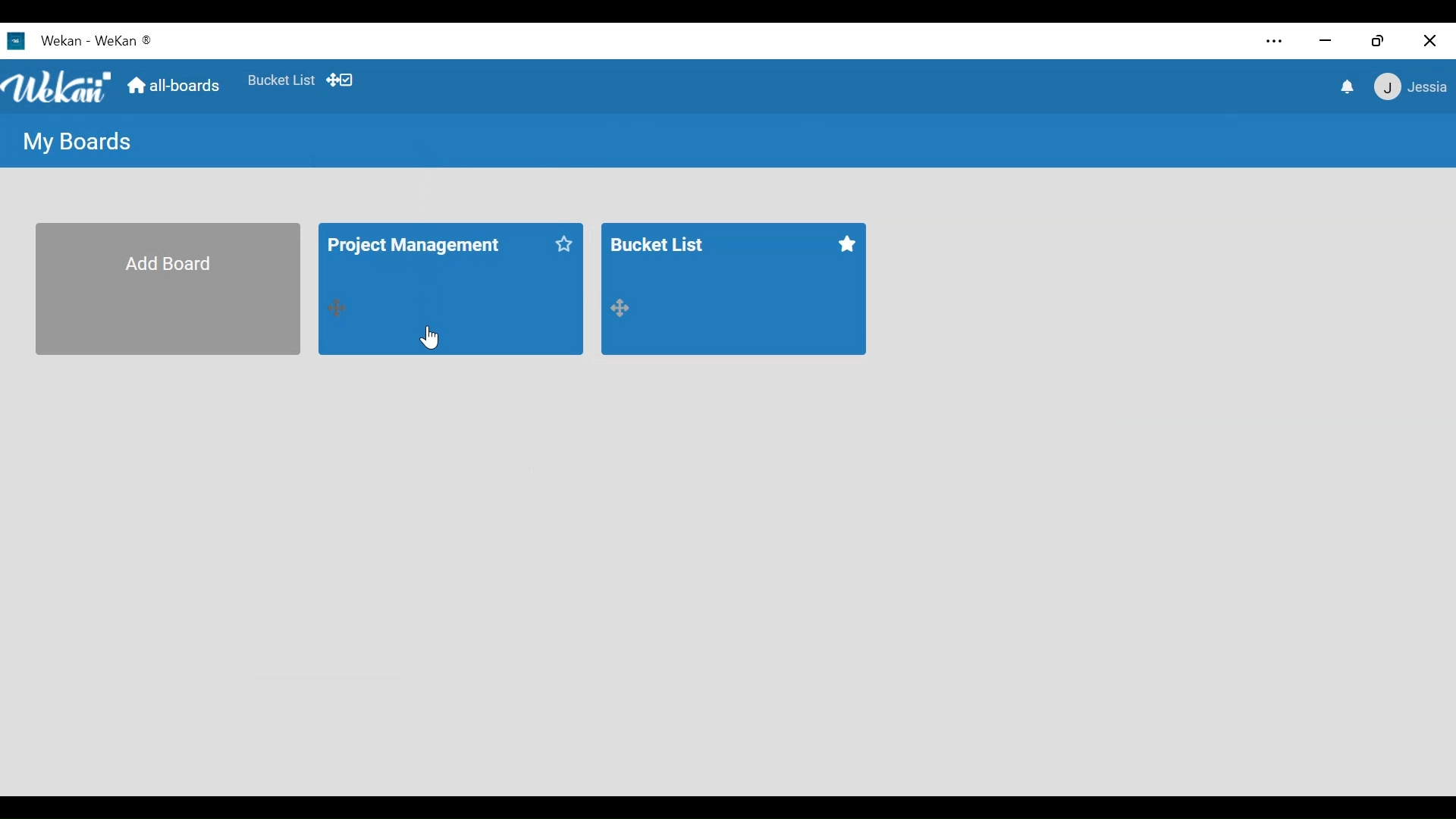 This screenshot has height=819, width=1456. I want to click on Board Title, so click(417, 246).